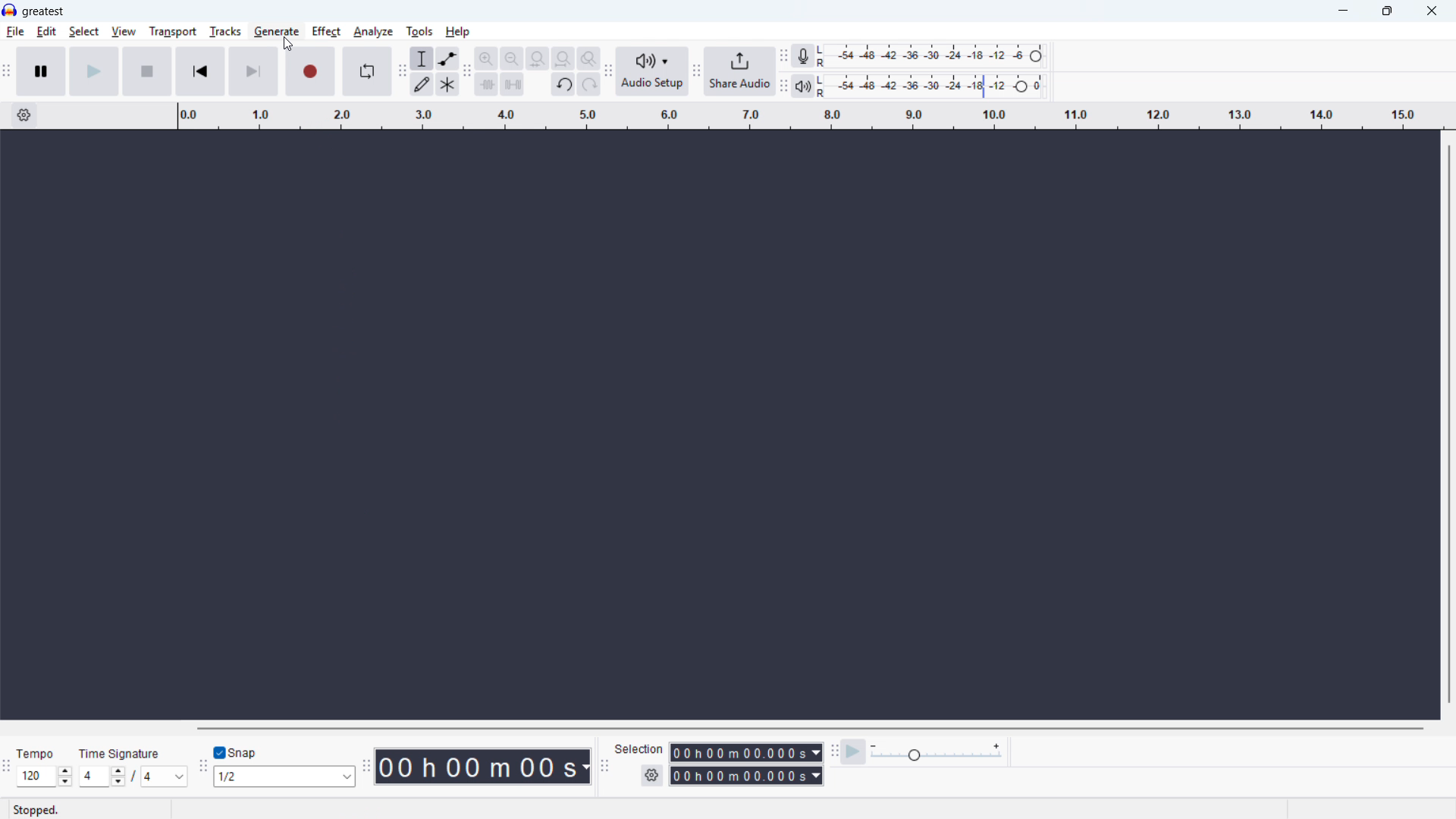 This screenshot has height=819, width=1456. What do you see at coordinates (563, 86) in the screenshot?
I see `undo` at bounding box center [563, 86].